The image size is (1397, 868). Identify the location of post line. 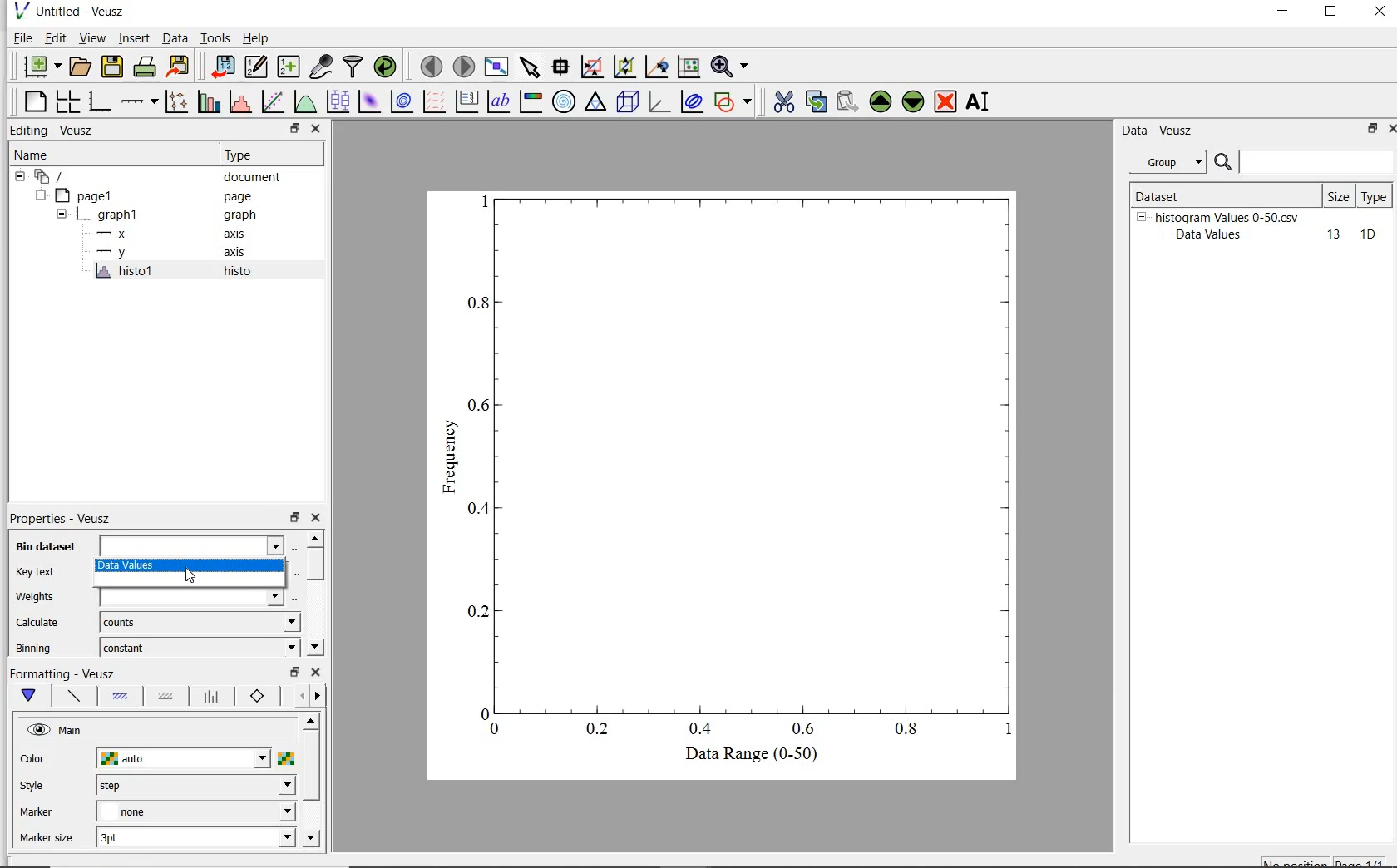
(212, 697).